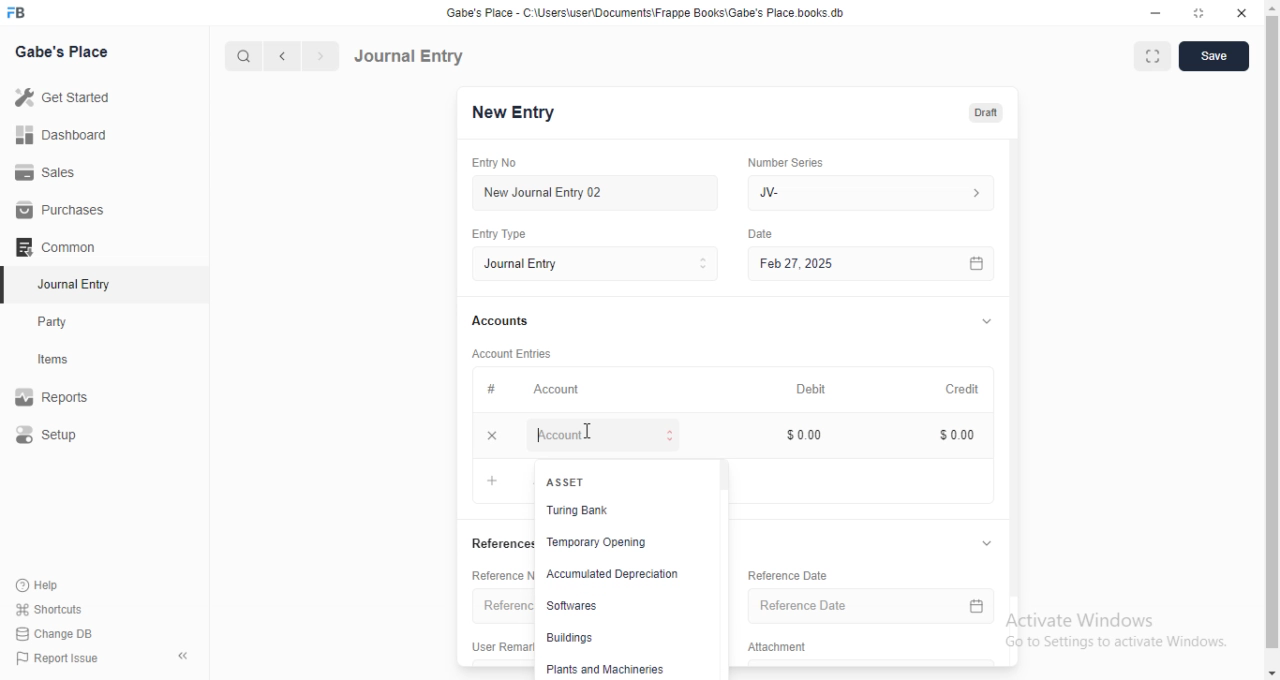 This screenshot has width=1280, height=680. I want to click on Debit, so click(819, 390).